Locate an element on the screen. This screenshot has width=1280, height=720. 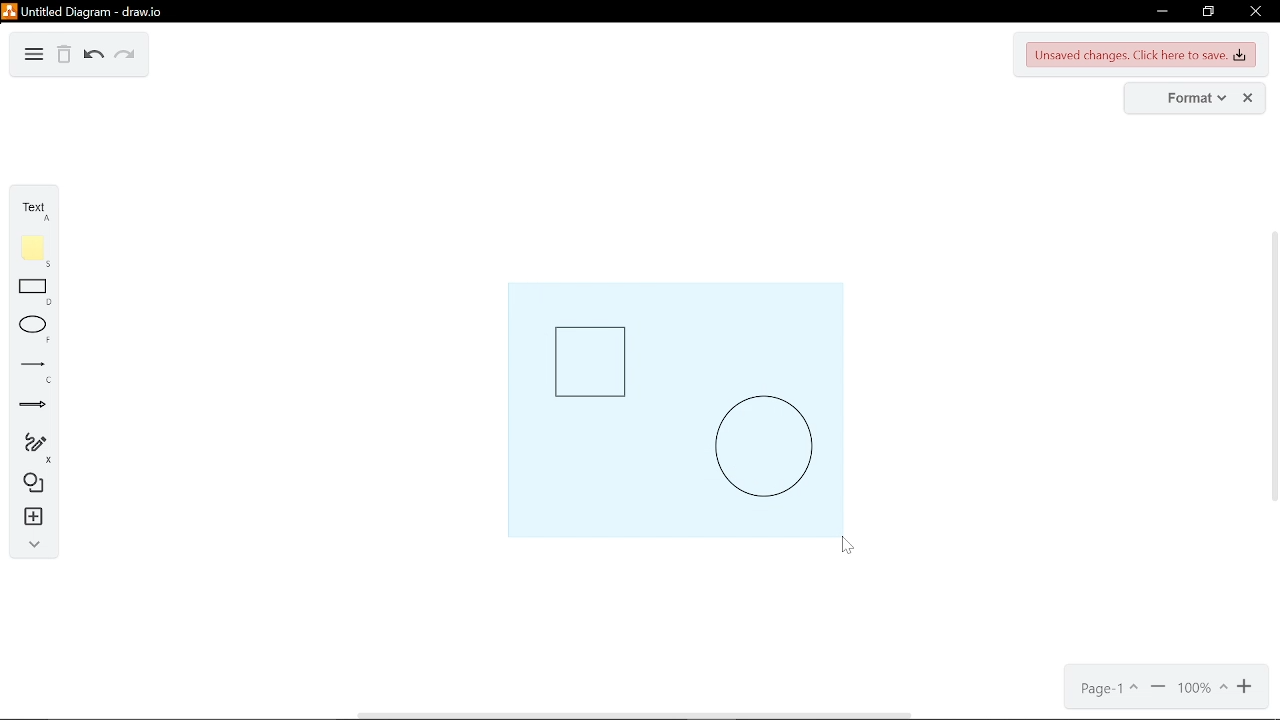
zoom out is located at coordinates (1157, 688).